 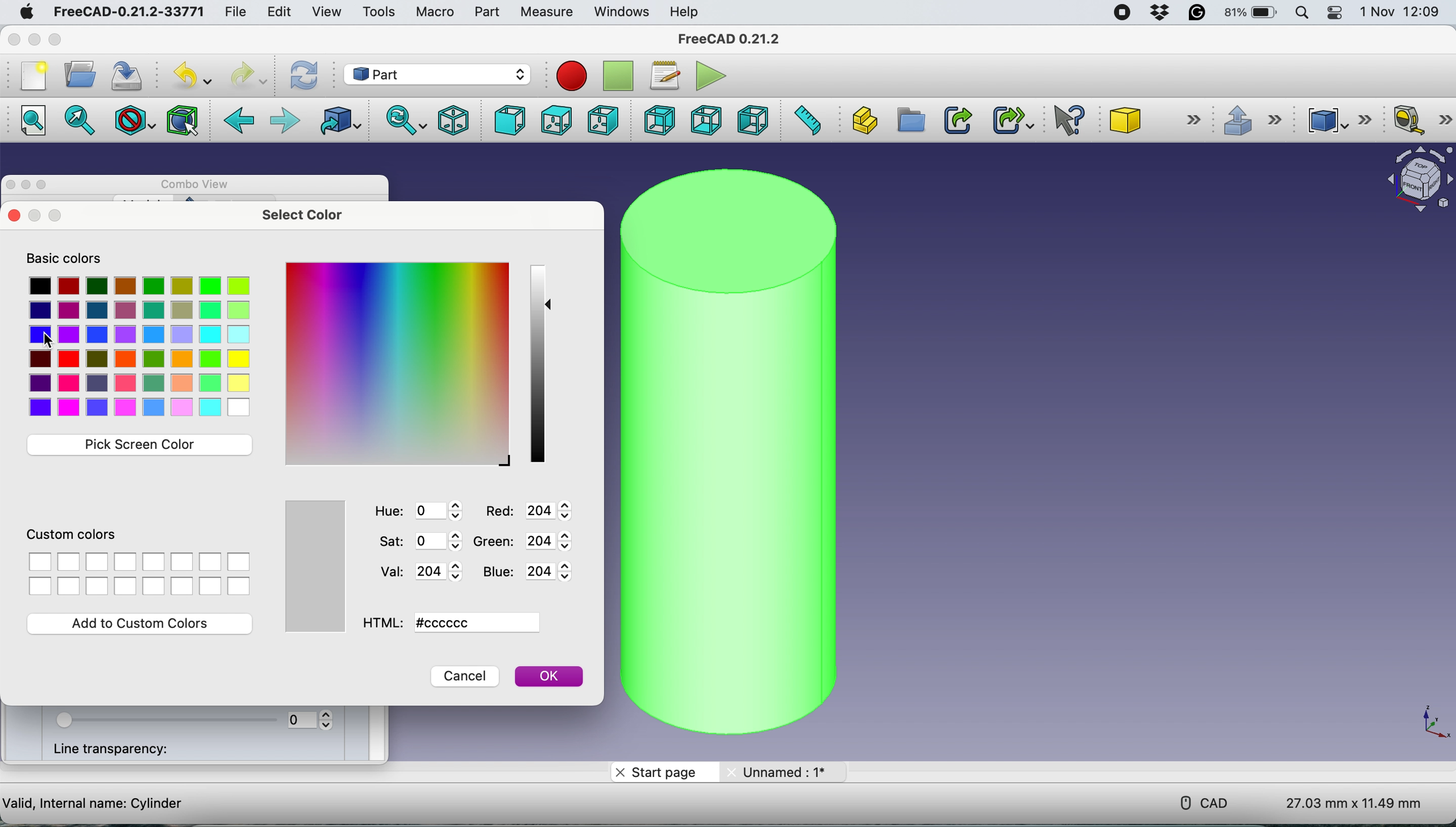 What do you see at coordinates (11, 216) in the screenshot?
I see `close` at bounding box center [11, 216].